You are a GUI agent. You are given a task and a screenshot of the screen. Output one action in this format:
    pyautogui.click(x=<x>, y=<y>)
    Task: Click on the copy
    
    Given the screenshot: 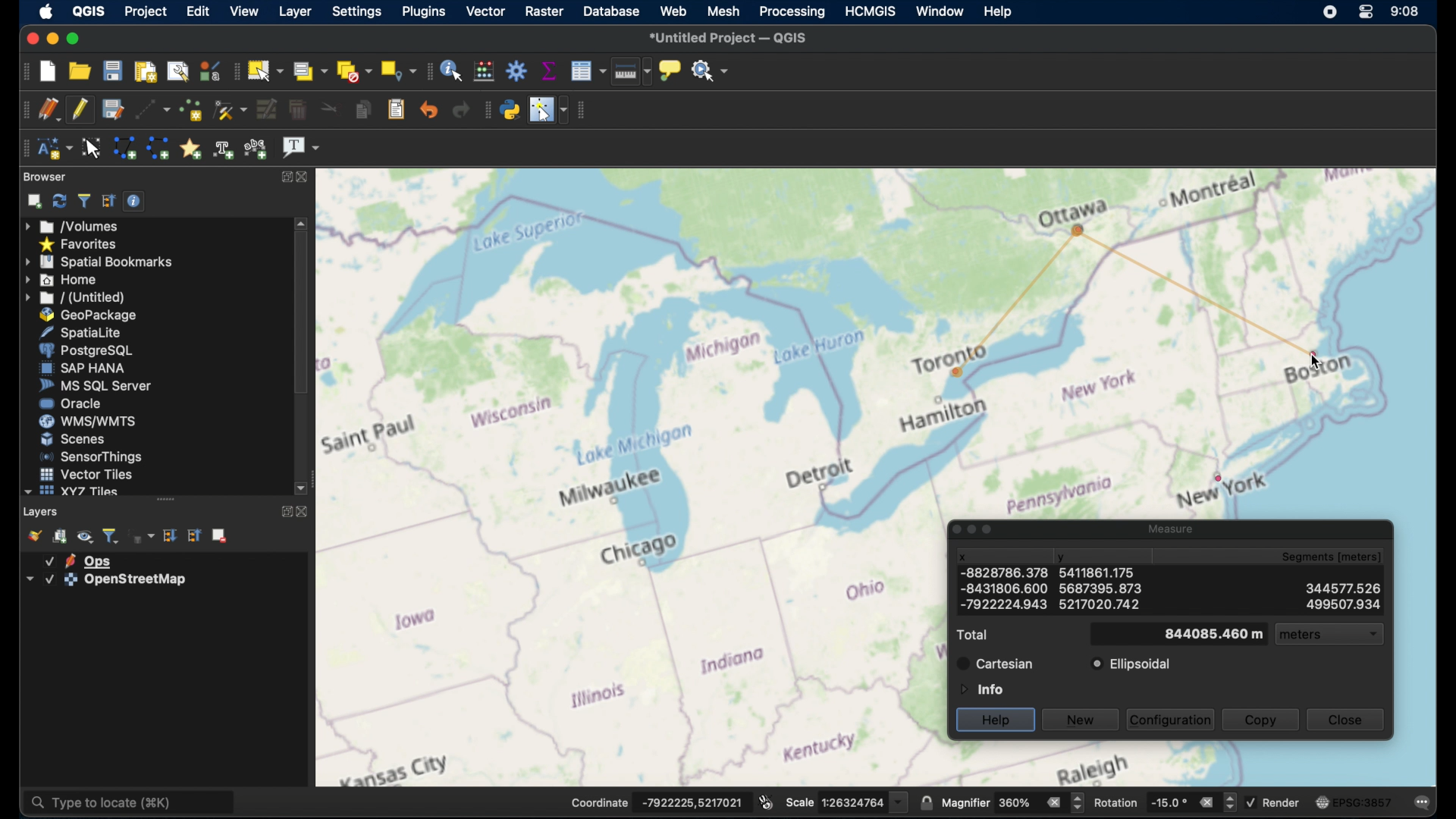 What is the action you would take?
    pyautogui.click(x=1261, y=719)
    